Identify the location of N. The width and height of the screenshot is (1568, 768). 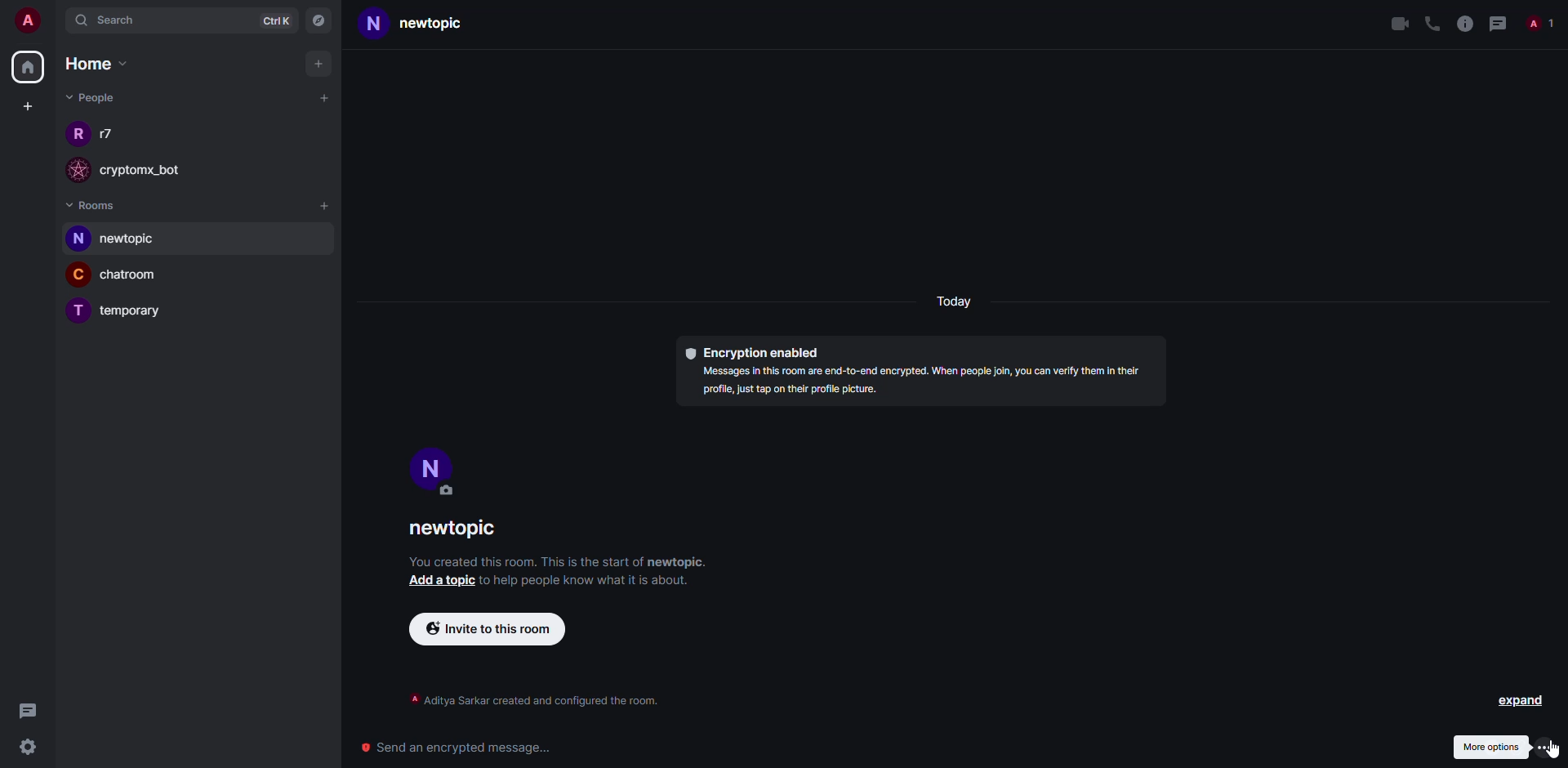
(78, 239).